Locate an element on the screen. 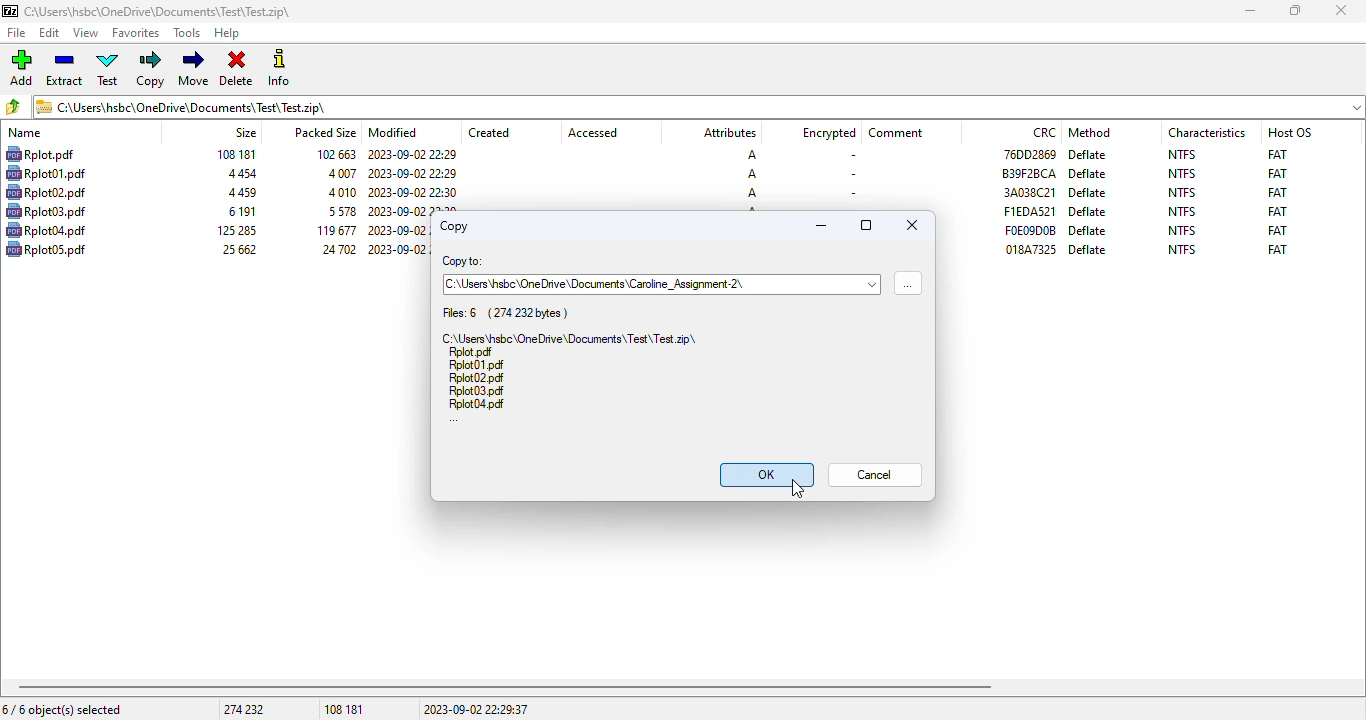  file is located at coordinates (46, 211).